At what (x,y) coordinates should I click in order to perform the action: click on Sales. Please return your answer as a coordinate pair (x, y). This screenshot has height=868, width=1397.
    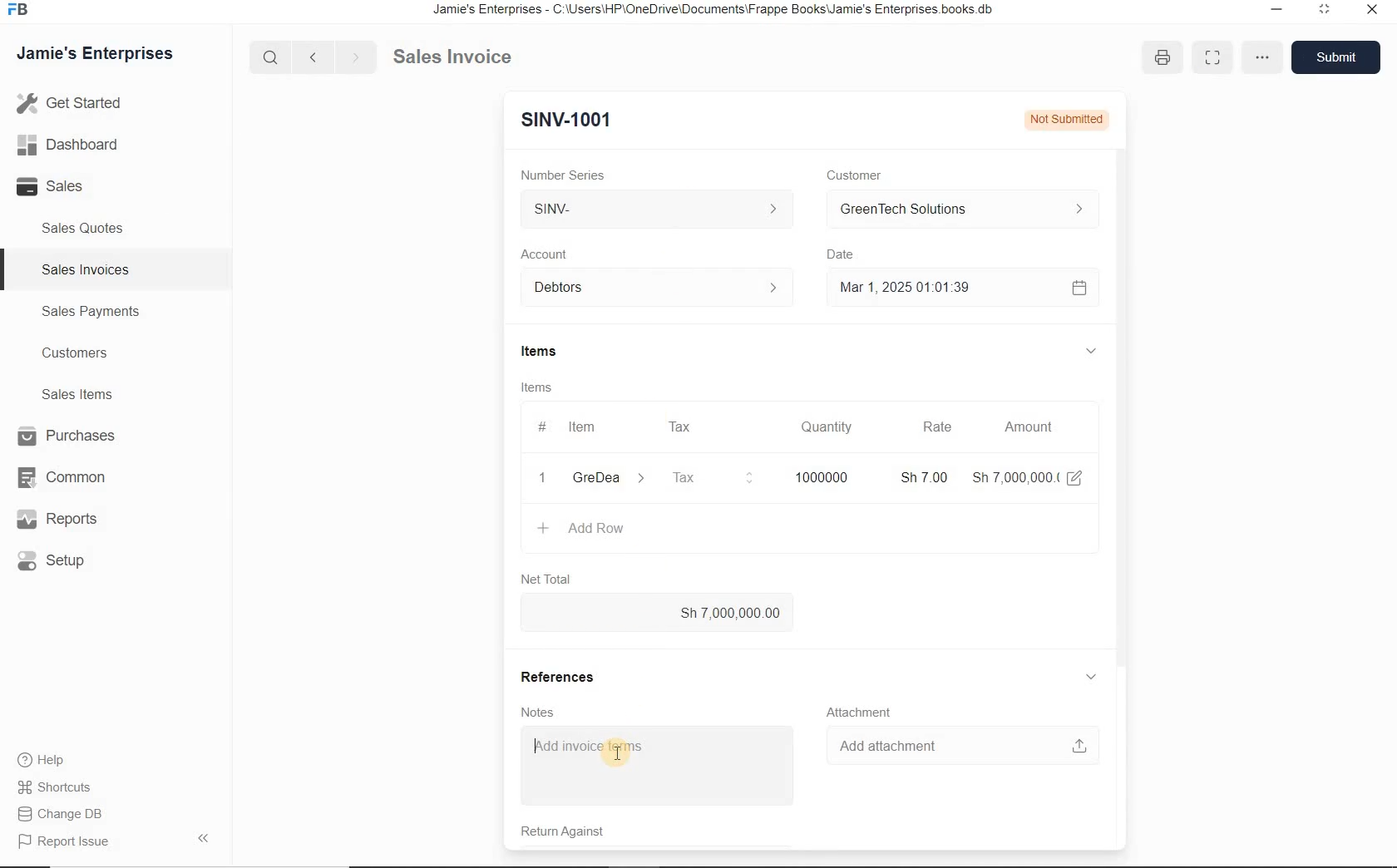
    Looking at the image, I should click on (57, 187).